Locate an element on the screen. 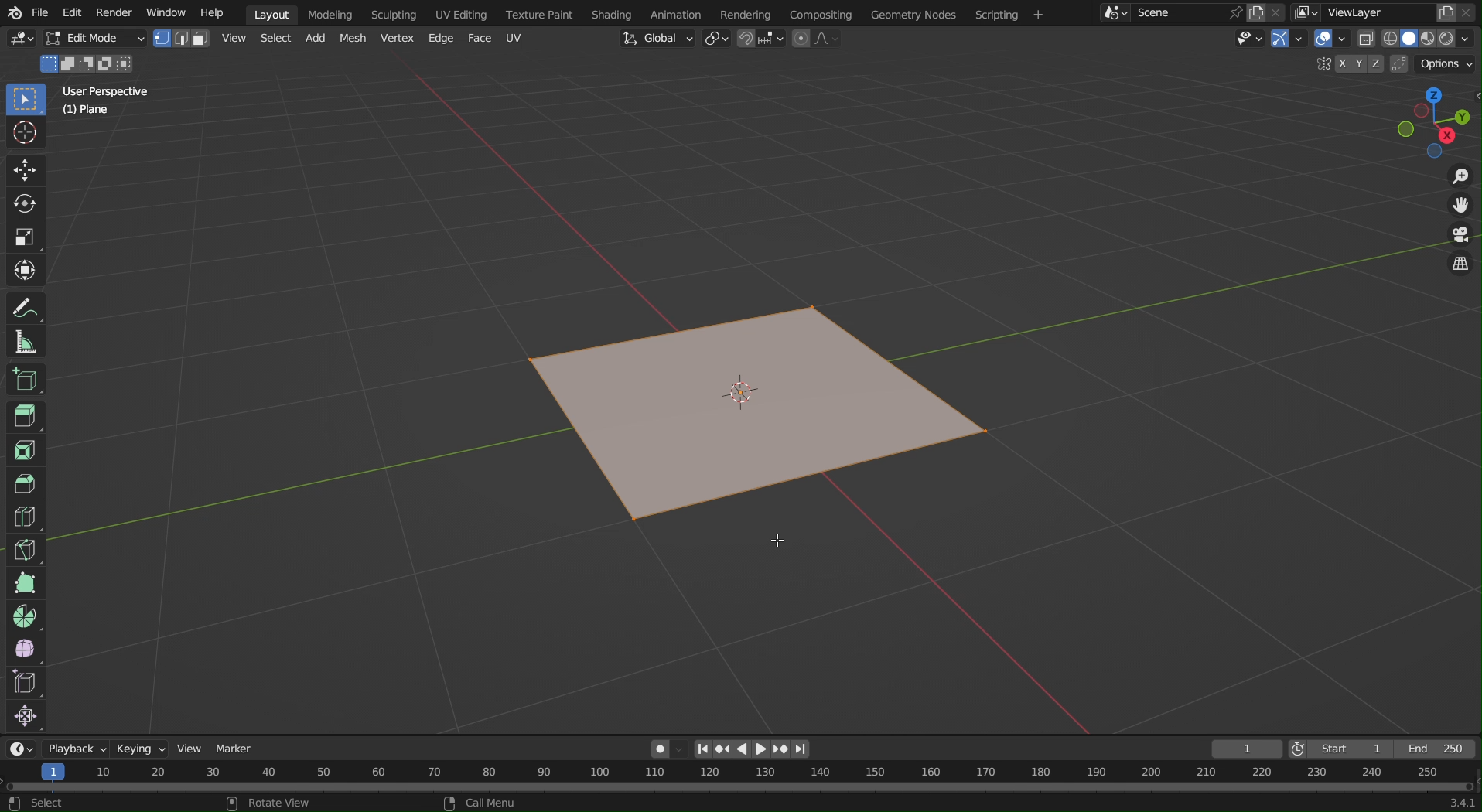  Scale is located at coordinates (27, 235).